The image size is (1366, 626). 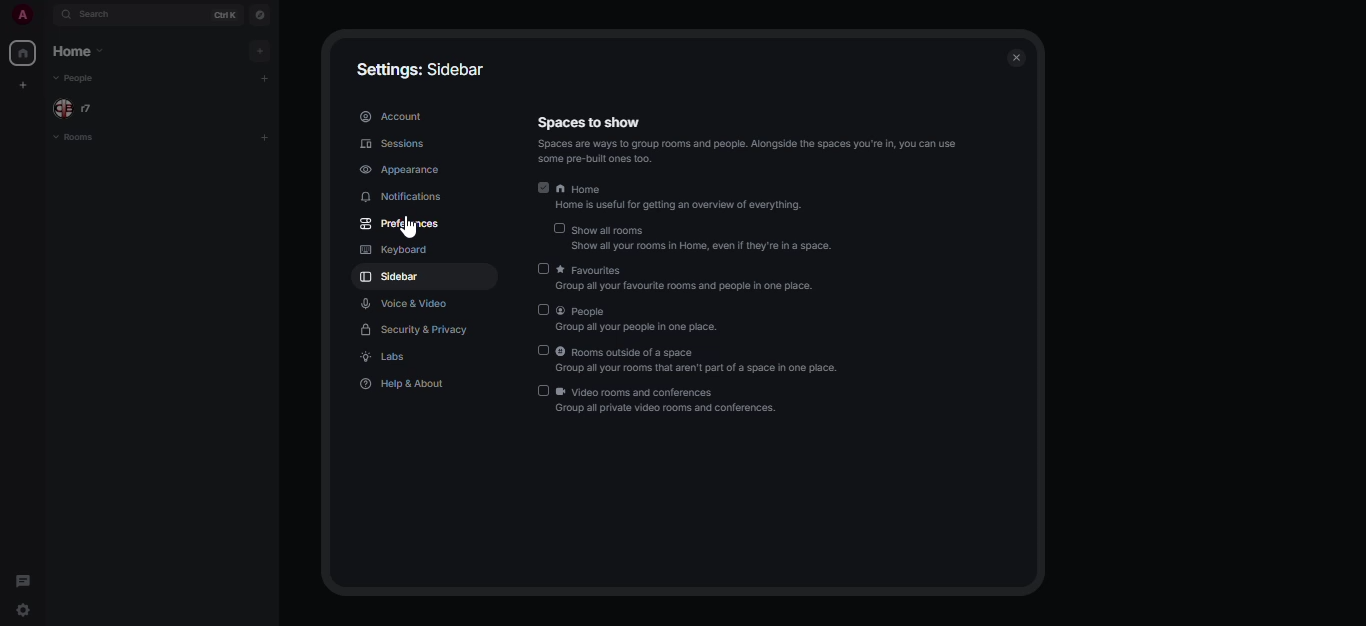 What do you see at coordinates (701, 357) in the screenshot?
I see `rooms outside of a space` at bounding box center [701, 357].